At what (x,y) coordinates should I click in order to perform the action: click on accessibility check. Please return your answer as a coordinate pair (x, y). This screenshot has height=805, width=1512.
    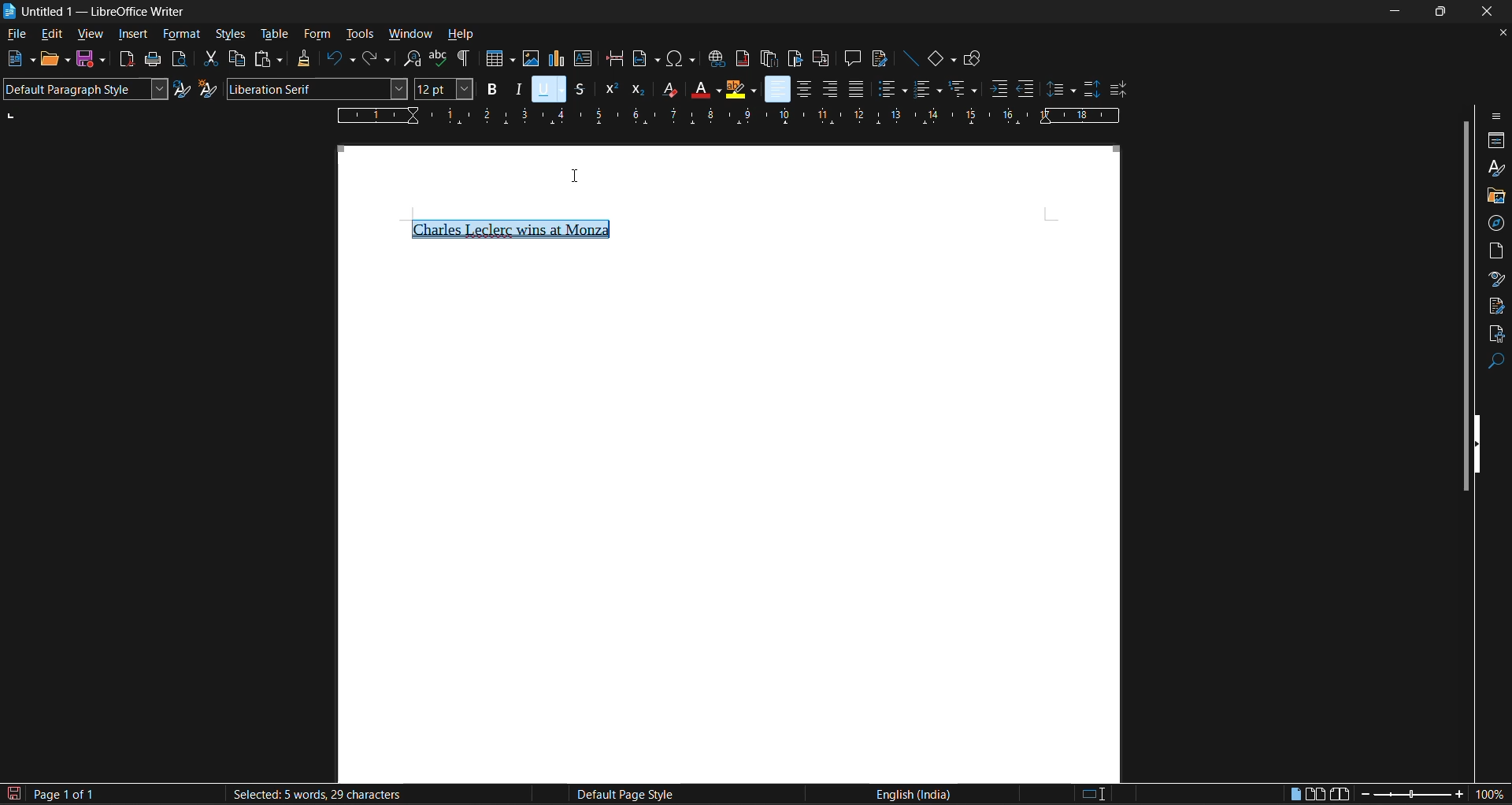
    Looking at the image, I should click on (1495, 335).